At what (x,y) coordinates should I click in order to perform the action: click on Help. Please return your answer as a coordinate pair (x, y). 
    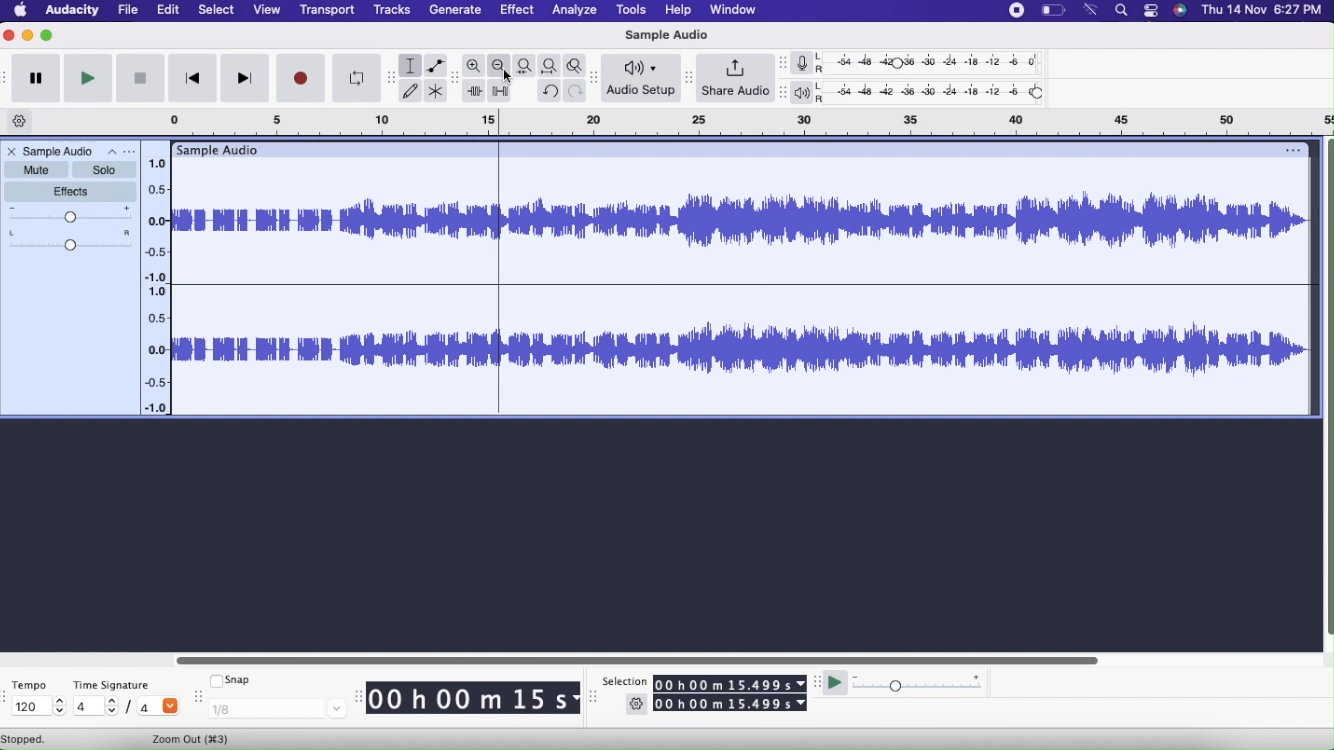
    Looking at the image, I should click on (679, 11).